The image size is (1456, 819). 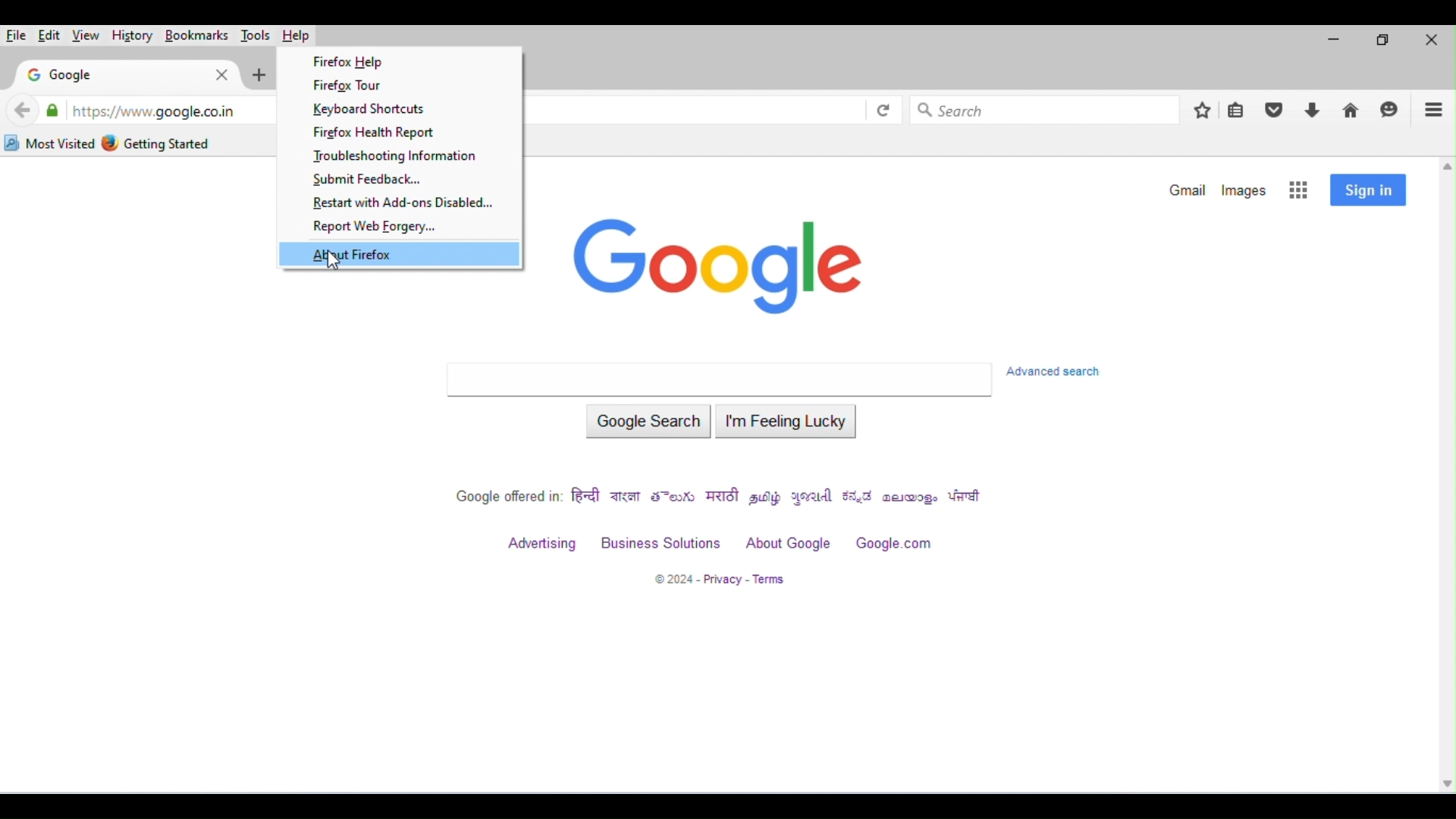 I want to click on firefox help, so click(x=348, y=61).